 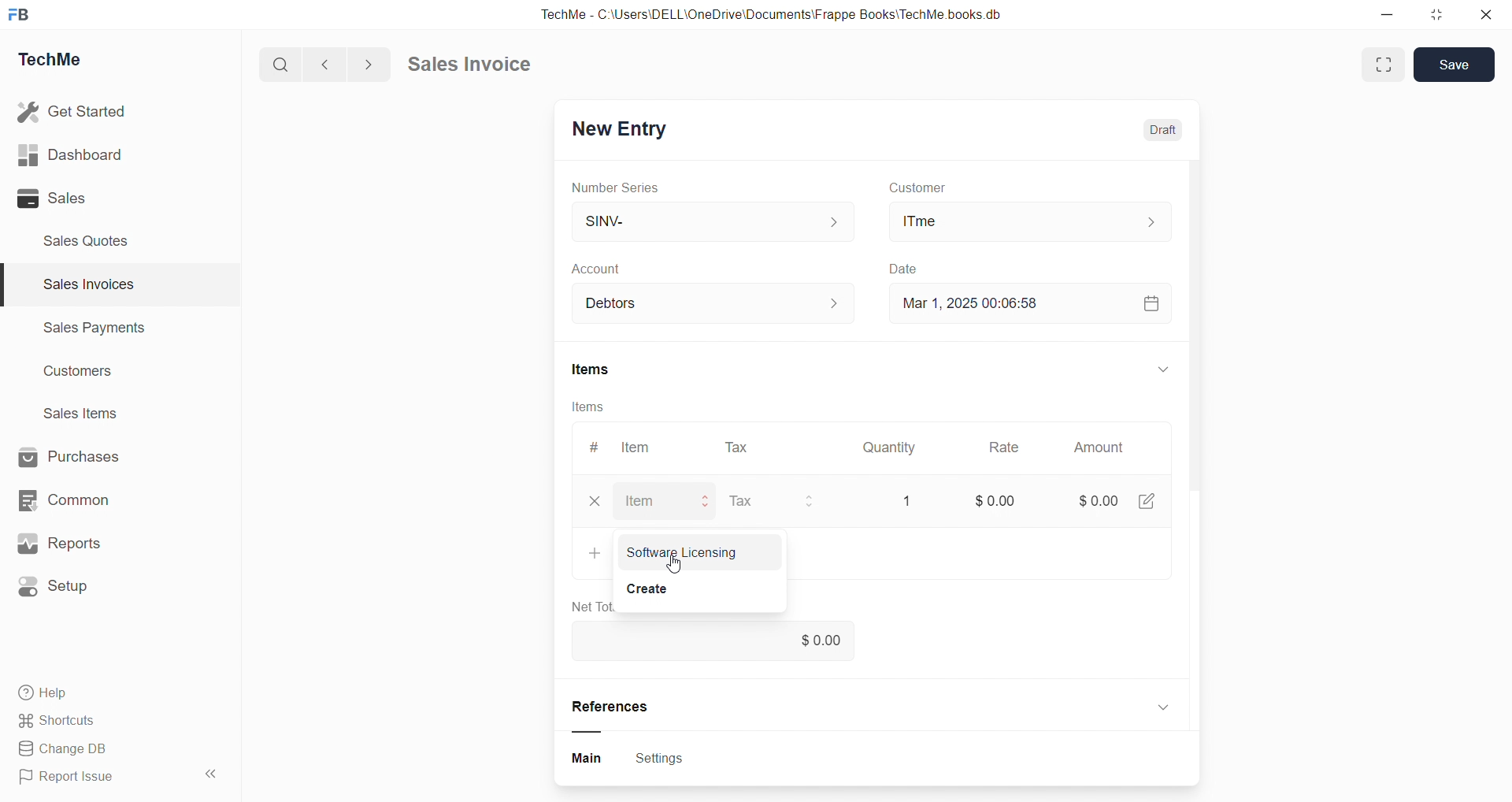 I want to click on Amount, so click(x=1098, y=448).